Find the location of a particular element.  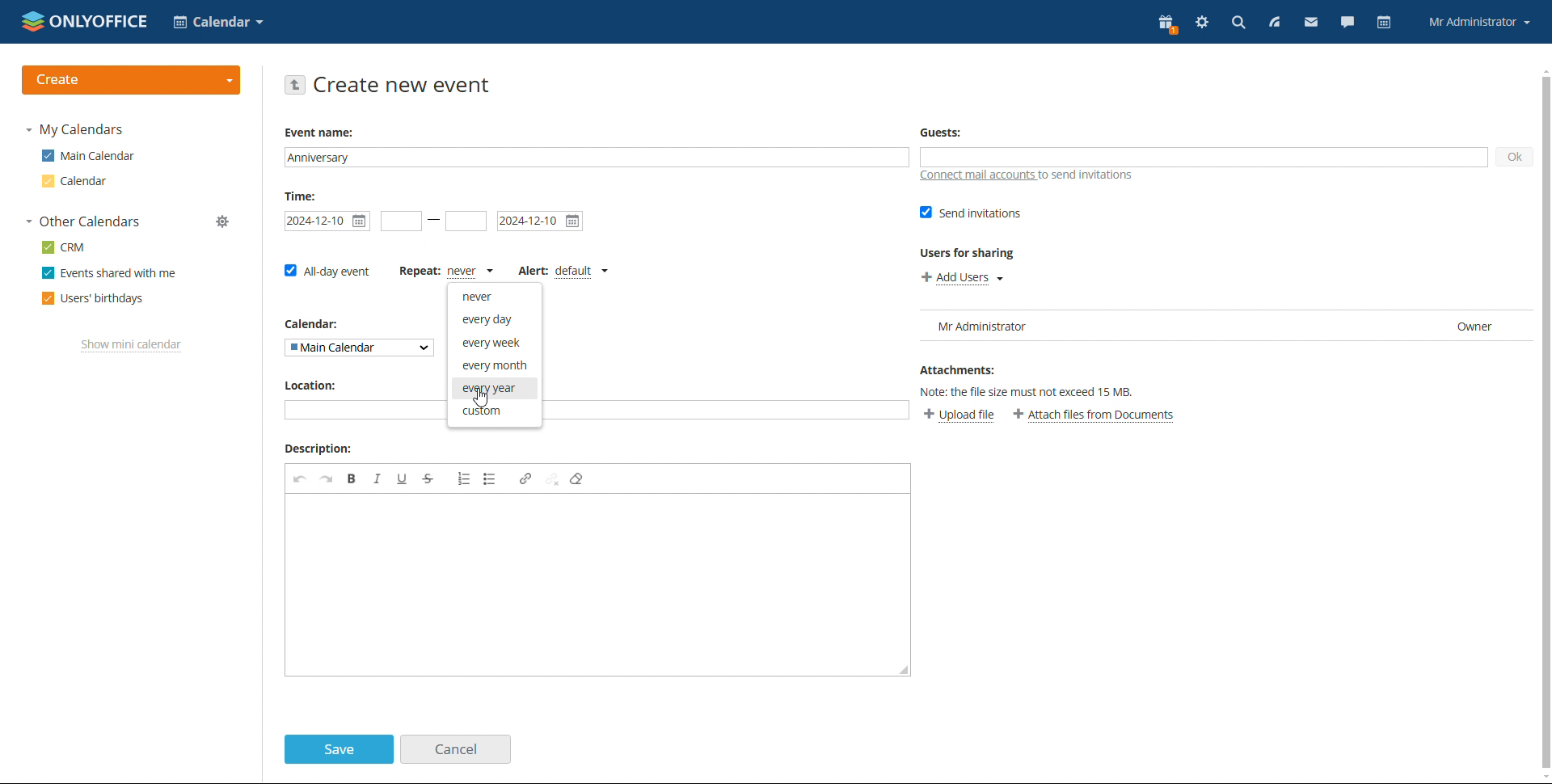

never is located at coordinates (496, 298).